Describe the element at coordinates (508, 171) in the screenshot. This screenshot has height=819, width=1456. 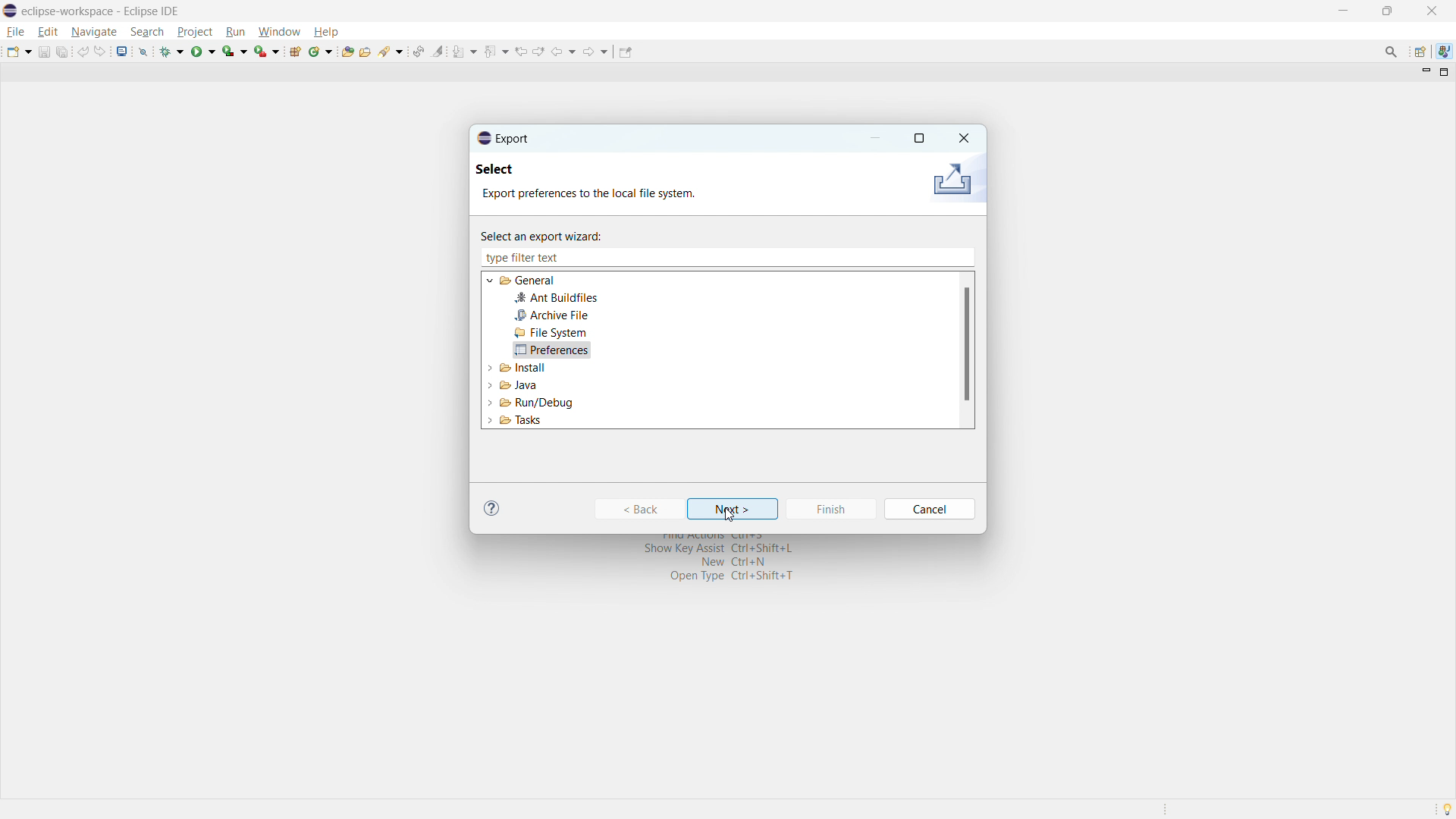
I see `Select` at that location.